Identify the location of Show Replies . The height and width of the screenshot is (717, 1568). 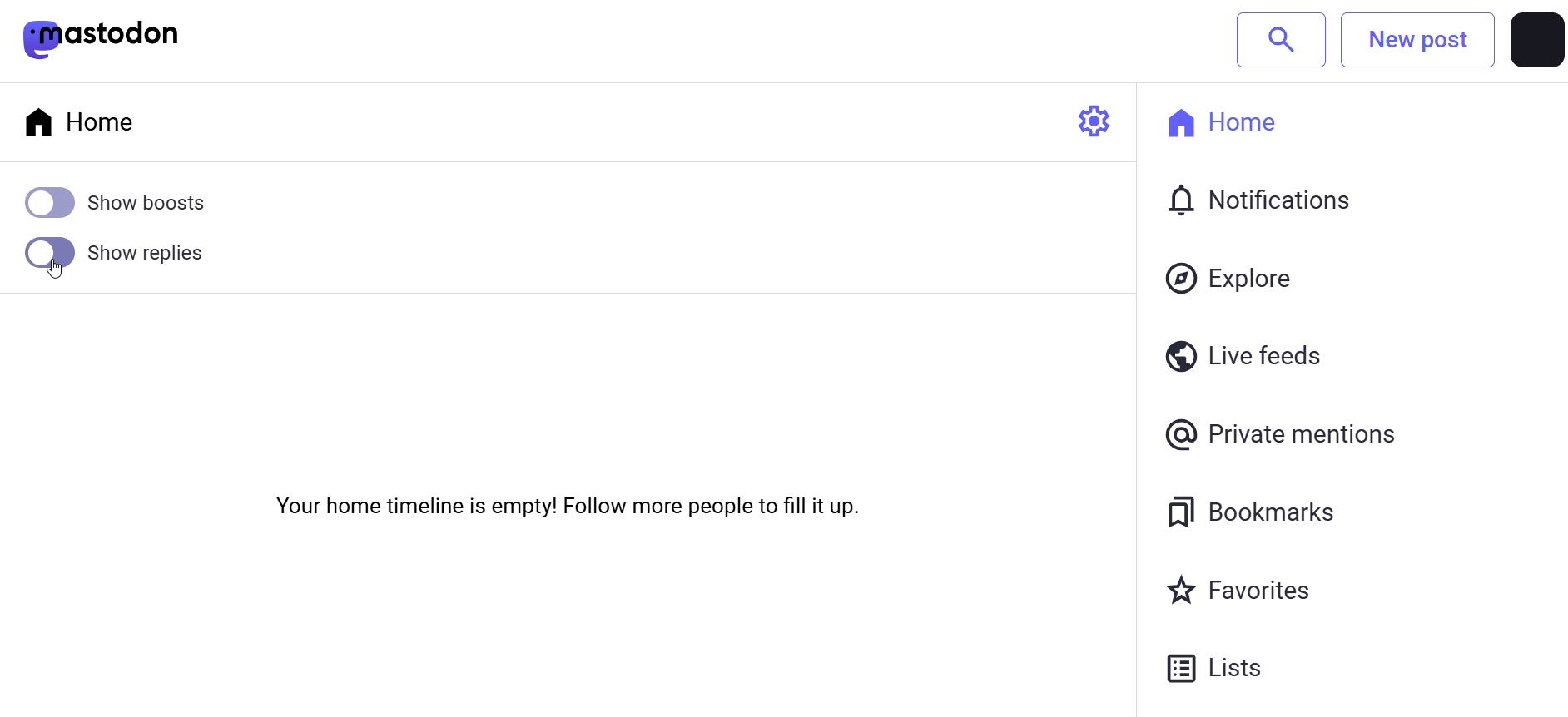
(134, 260).